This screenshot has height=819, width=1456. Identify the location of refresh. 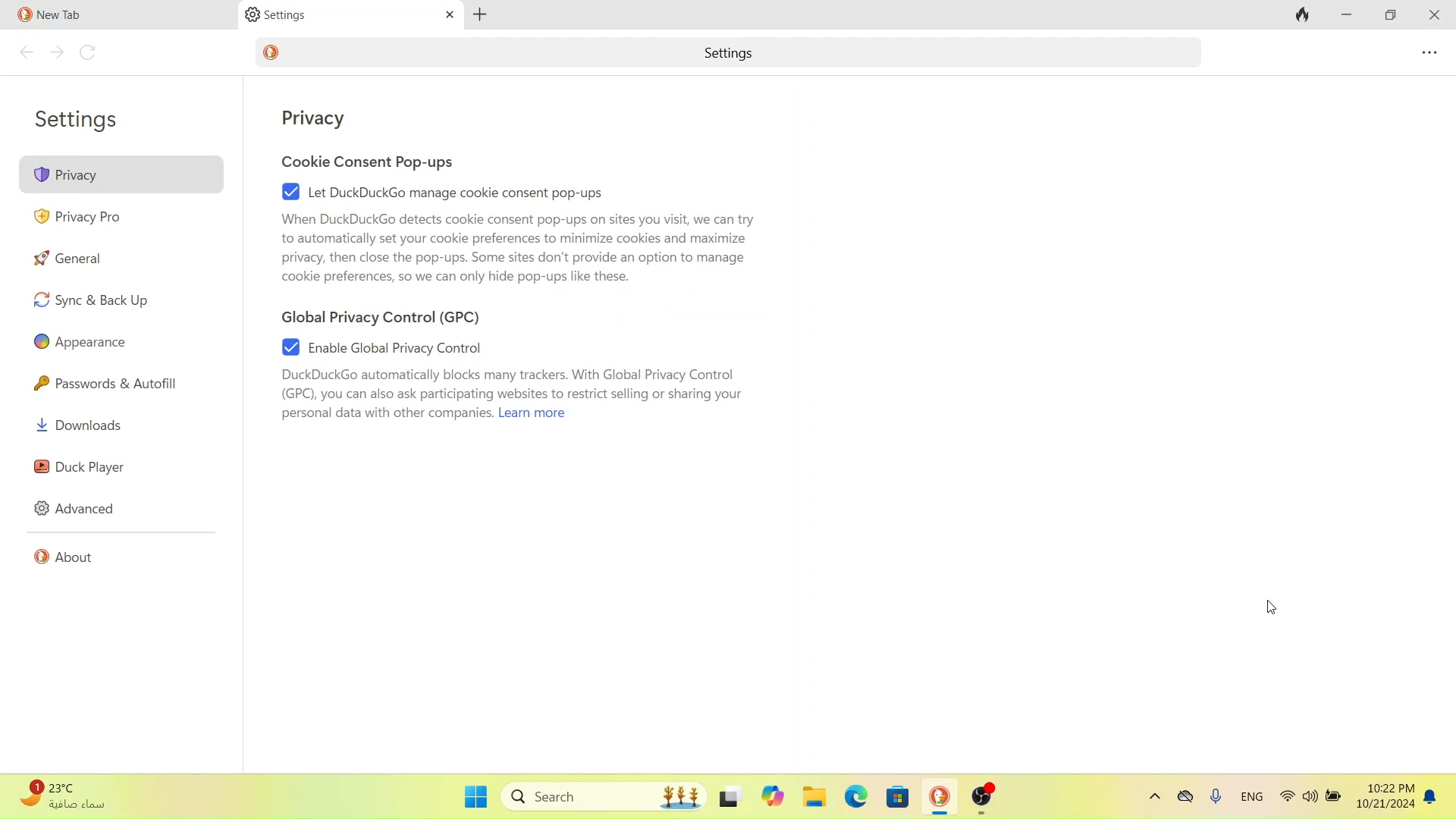
(89, 52).